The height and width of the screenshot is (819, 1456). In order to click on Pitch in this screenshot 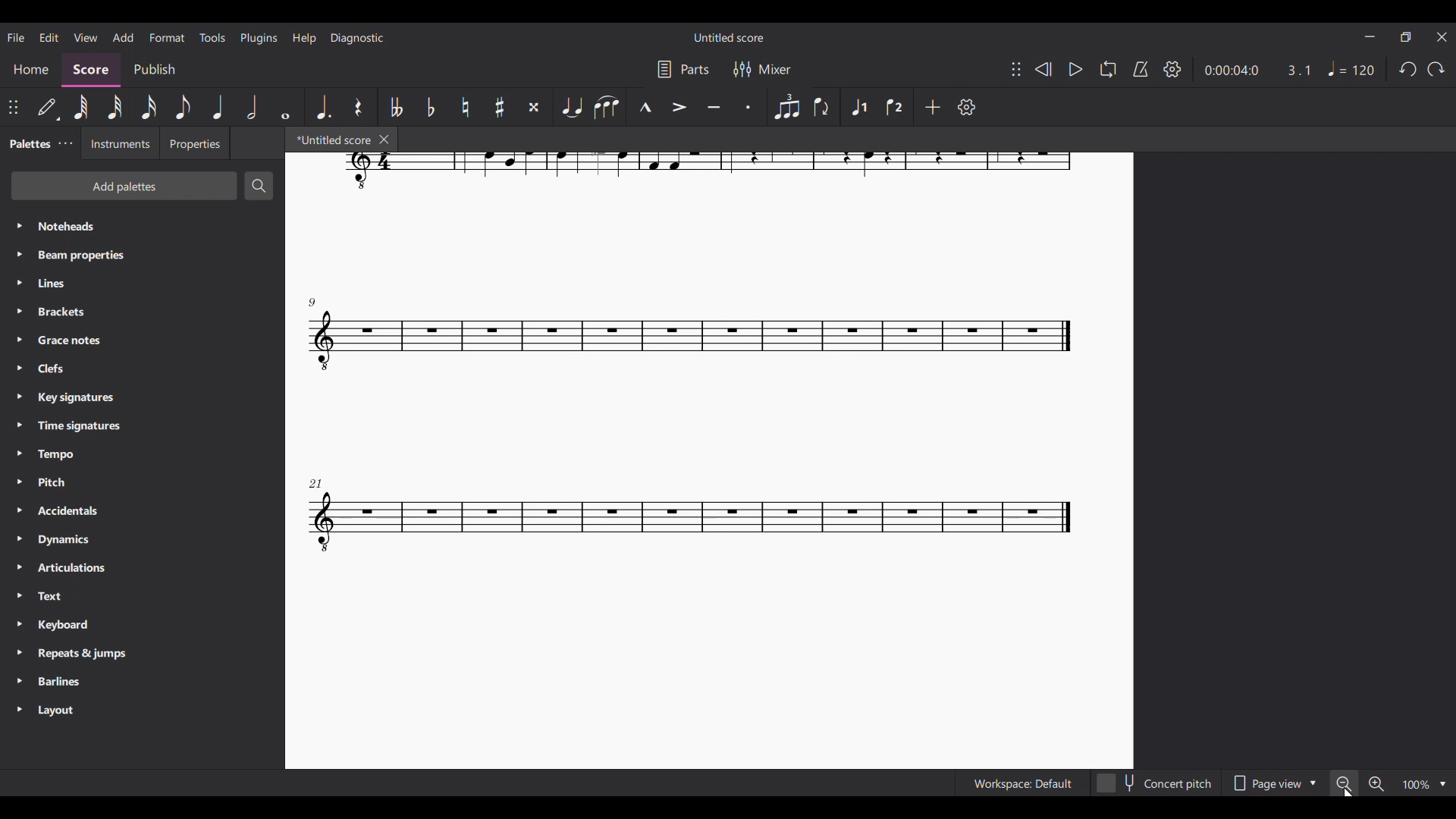, I will do `click(142, 482)`.